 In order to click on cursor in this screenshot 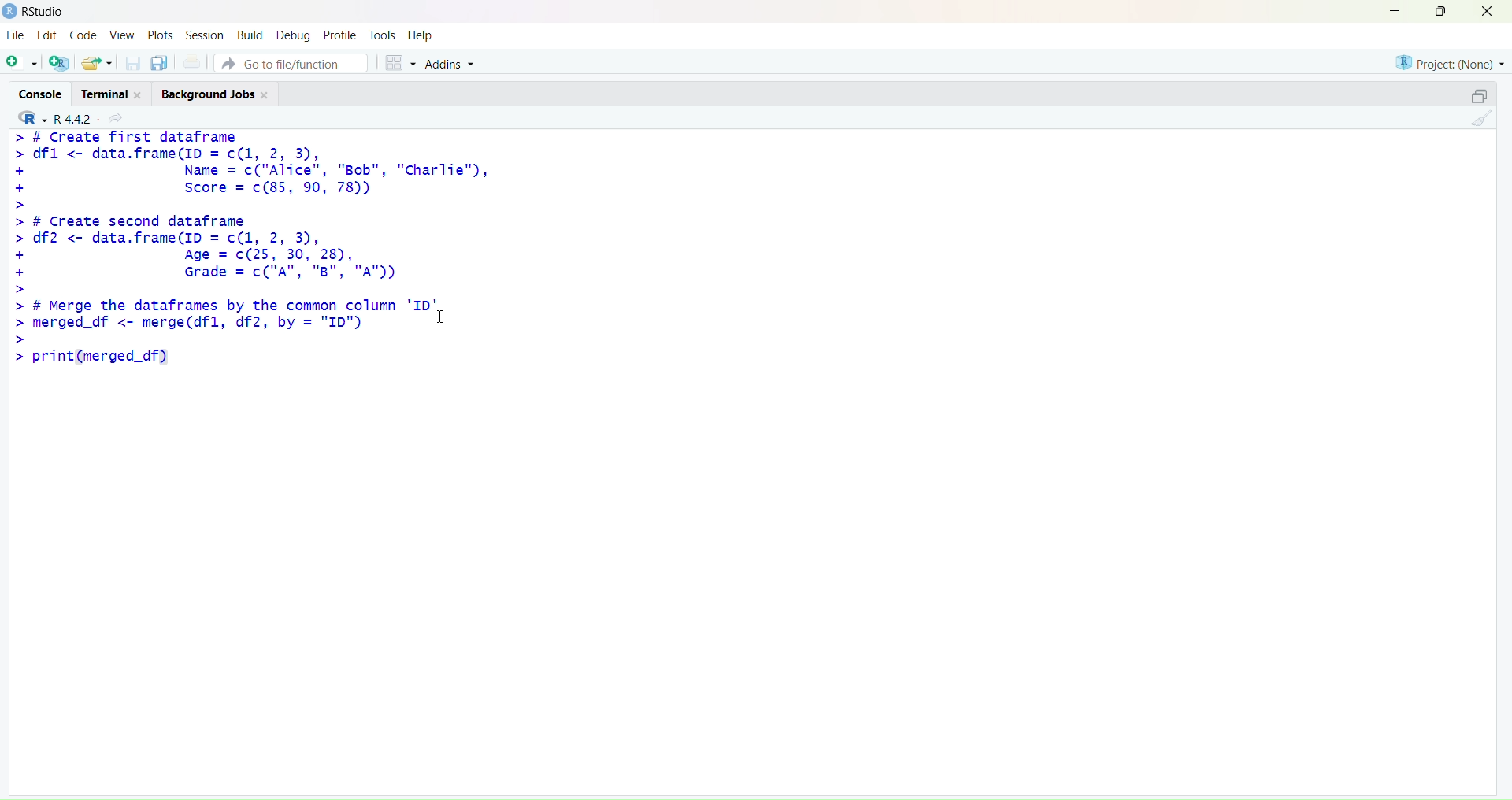, I will do `click(441, 317)`.